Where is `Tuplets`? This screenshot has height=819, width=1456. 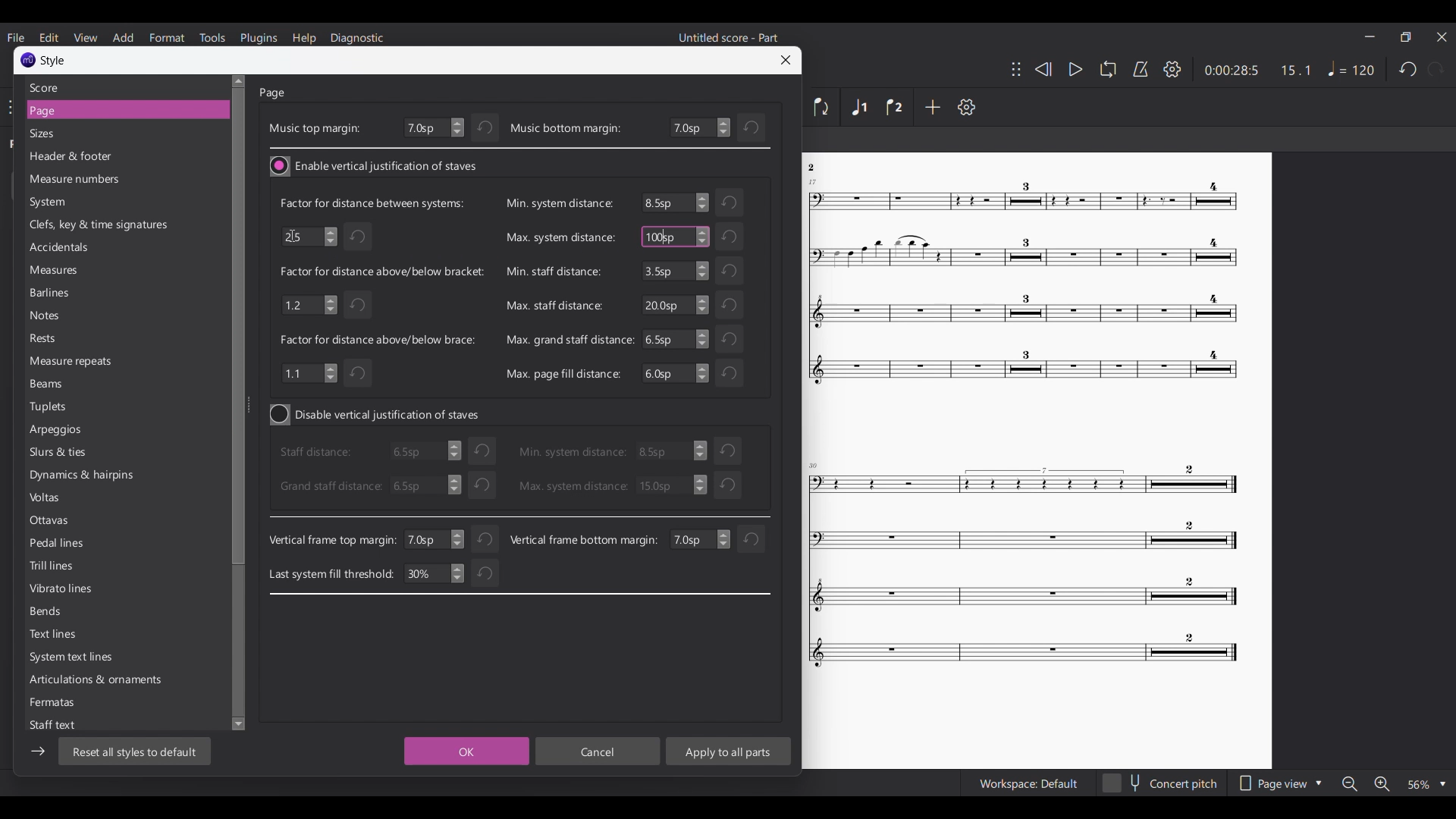
Tuplets is located at coordinates (71, 406).